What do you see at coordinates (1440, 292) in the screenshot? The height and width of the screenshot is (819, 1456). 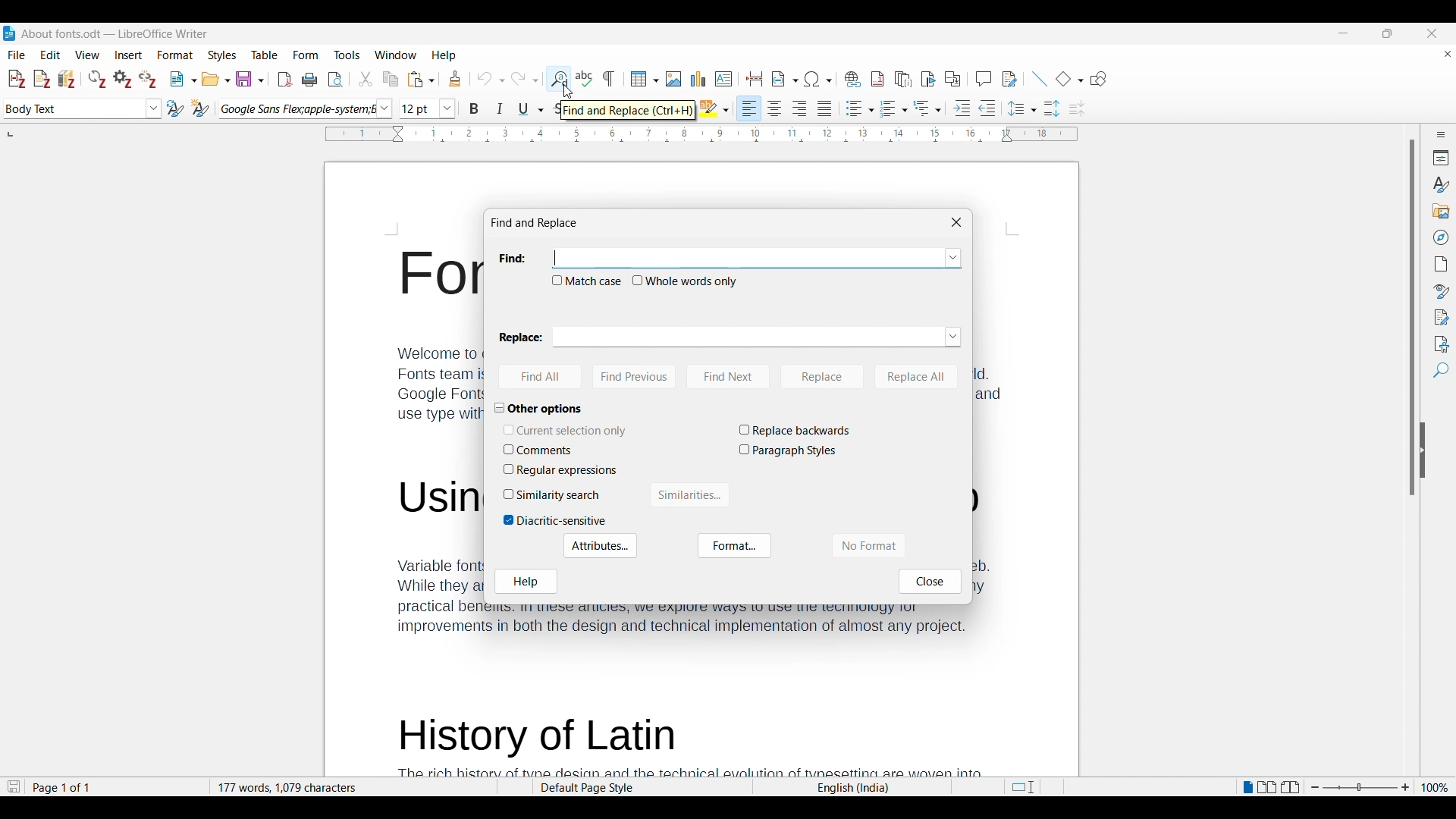 I see `Style inspector` at bounding box center [1440, 292].